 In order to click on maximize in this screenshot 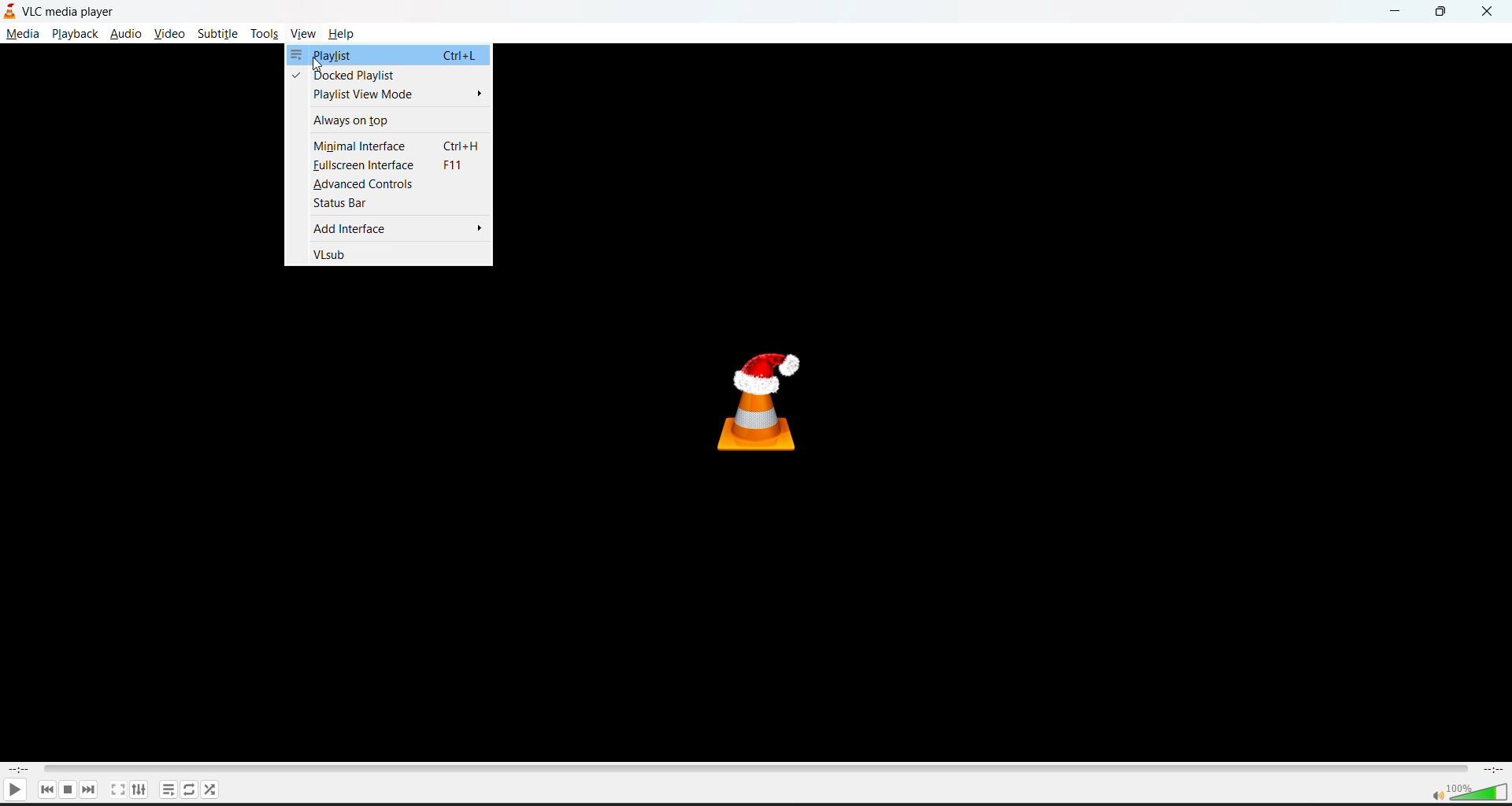, I will do `click(1441, 12)`.